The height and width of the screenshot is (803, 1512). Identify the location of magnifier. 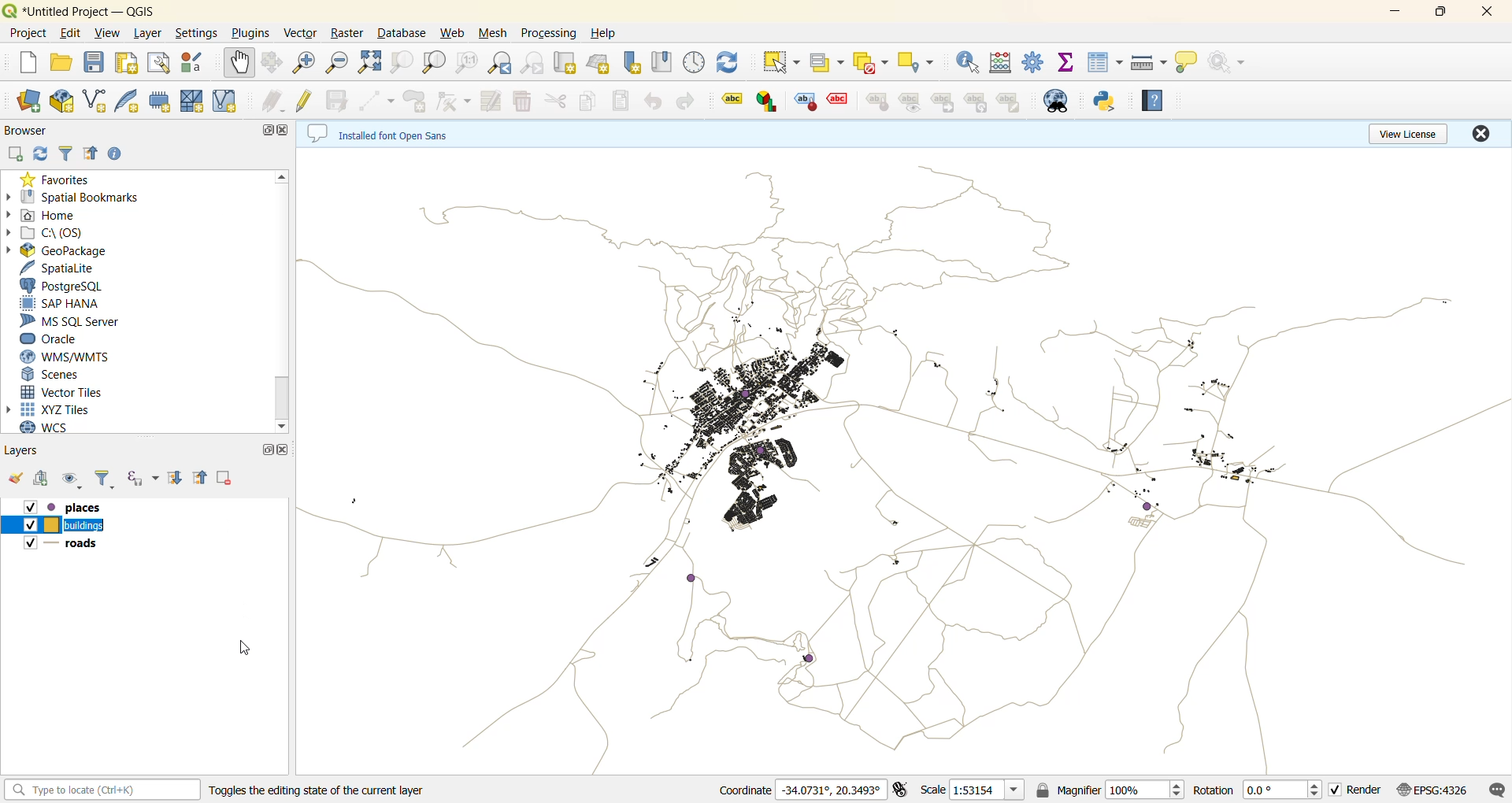
(1124, 792).